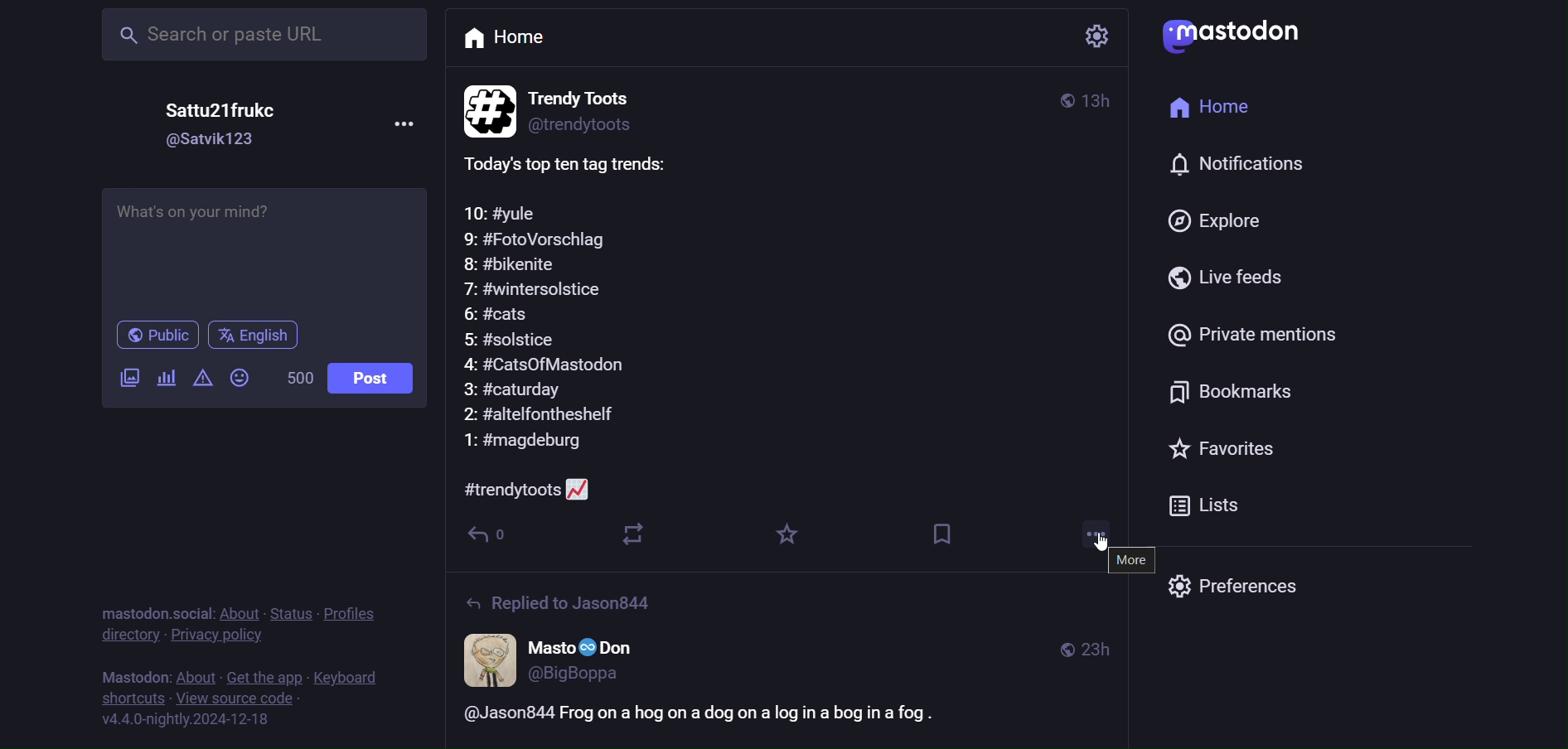  I want to click on cursor, so click(1106, 543).